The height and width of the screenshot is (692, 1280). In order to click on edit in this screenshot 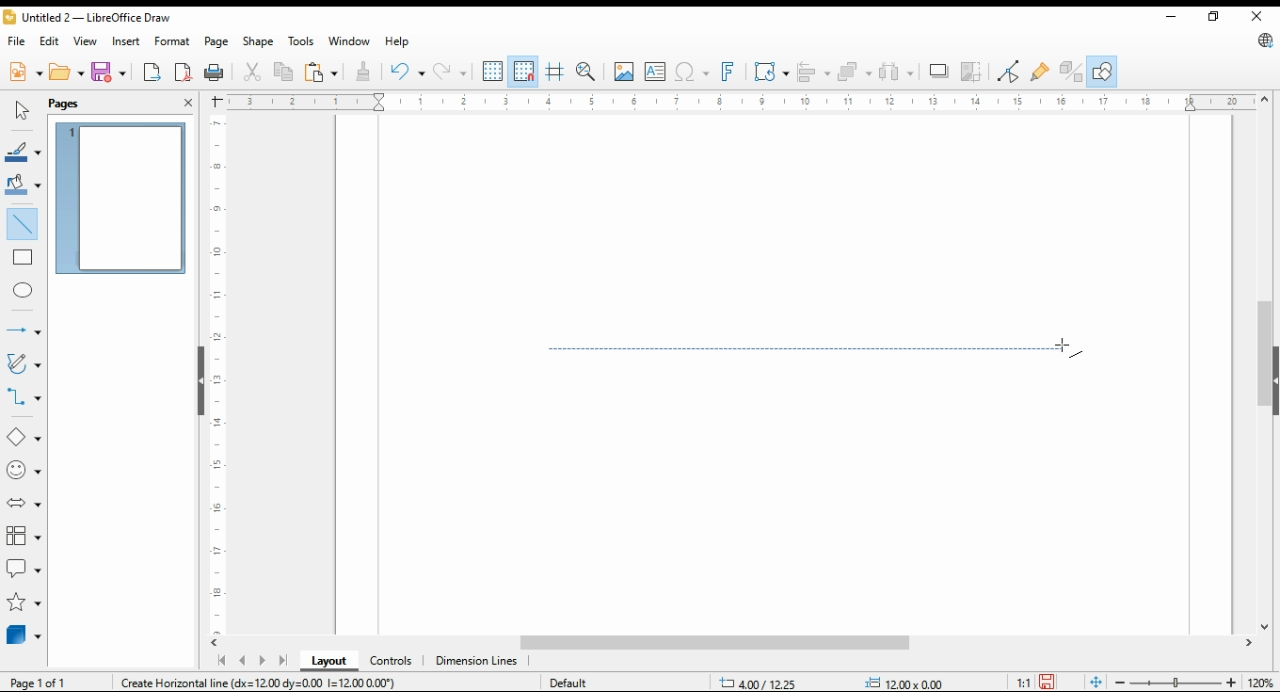, I will do `click(48, 39)`.